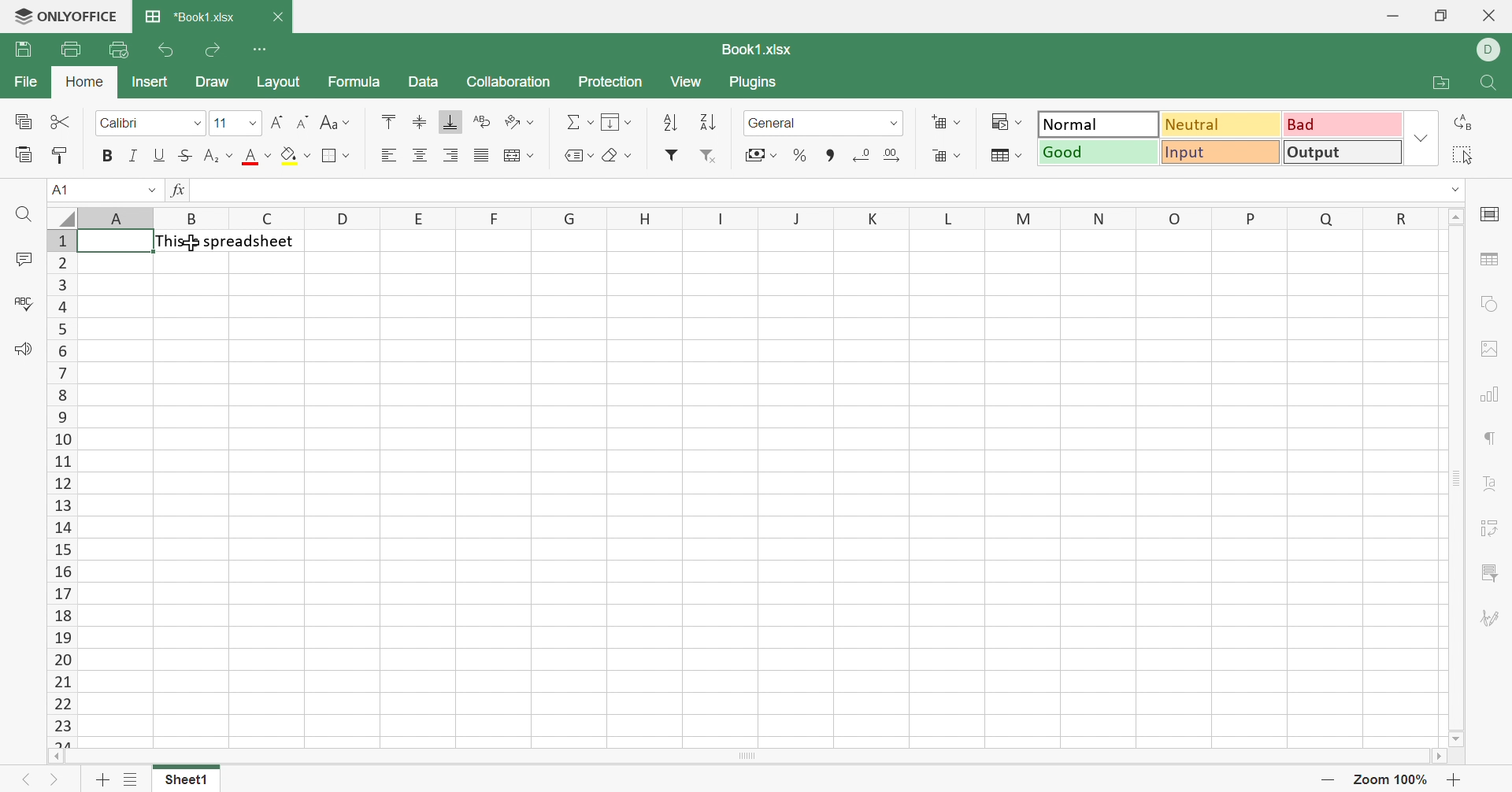 This screenshot has width=1512, height=792. What do you see at coordinates (570, 120) in the screenshot?
I see `Summation` at bounding box center [570, 120].